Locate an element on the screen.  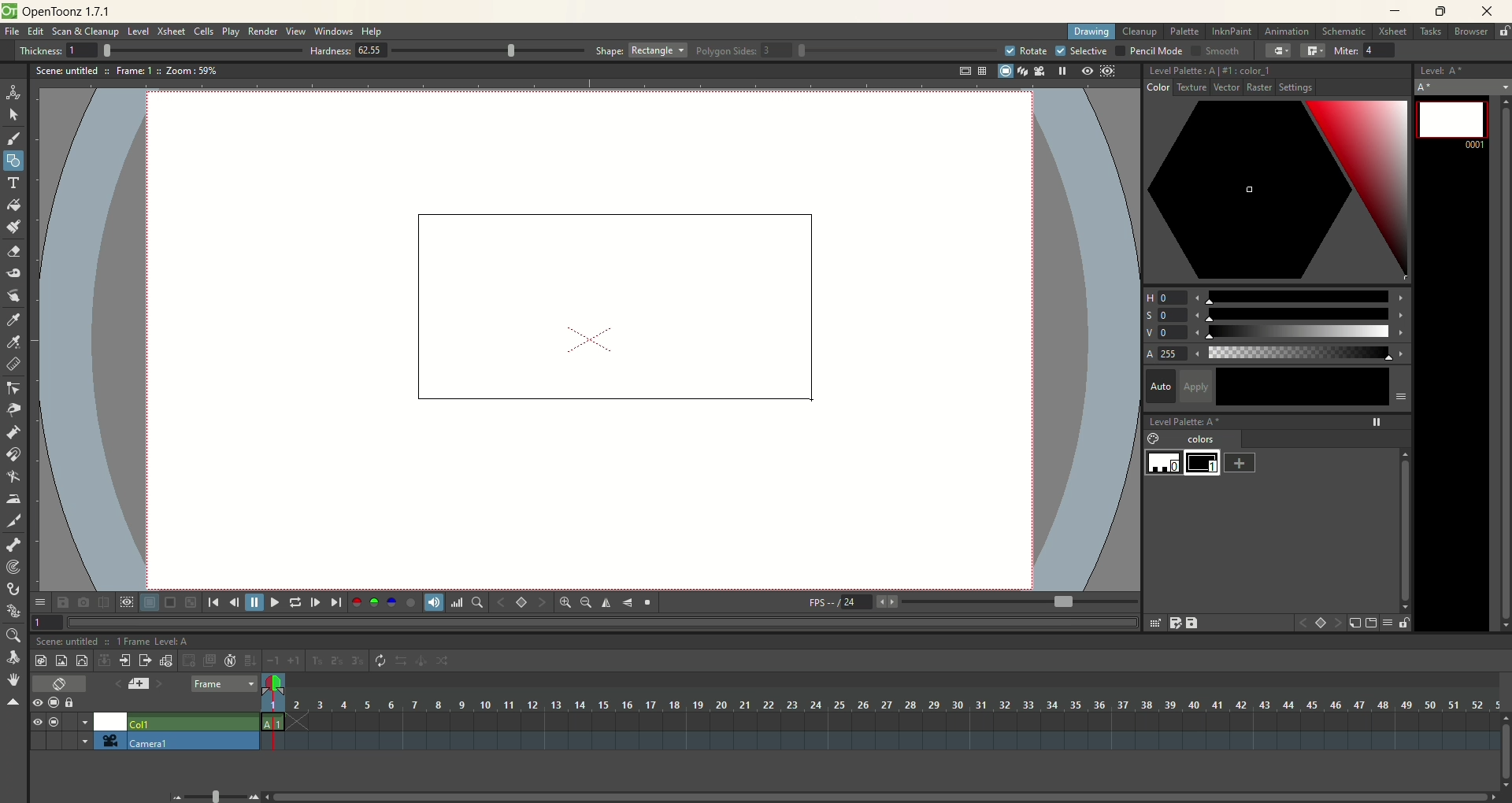
X sheet is located at coordinates (172, 31).